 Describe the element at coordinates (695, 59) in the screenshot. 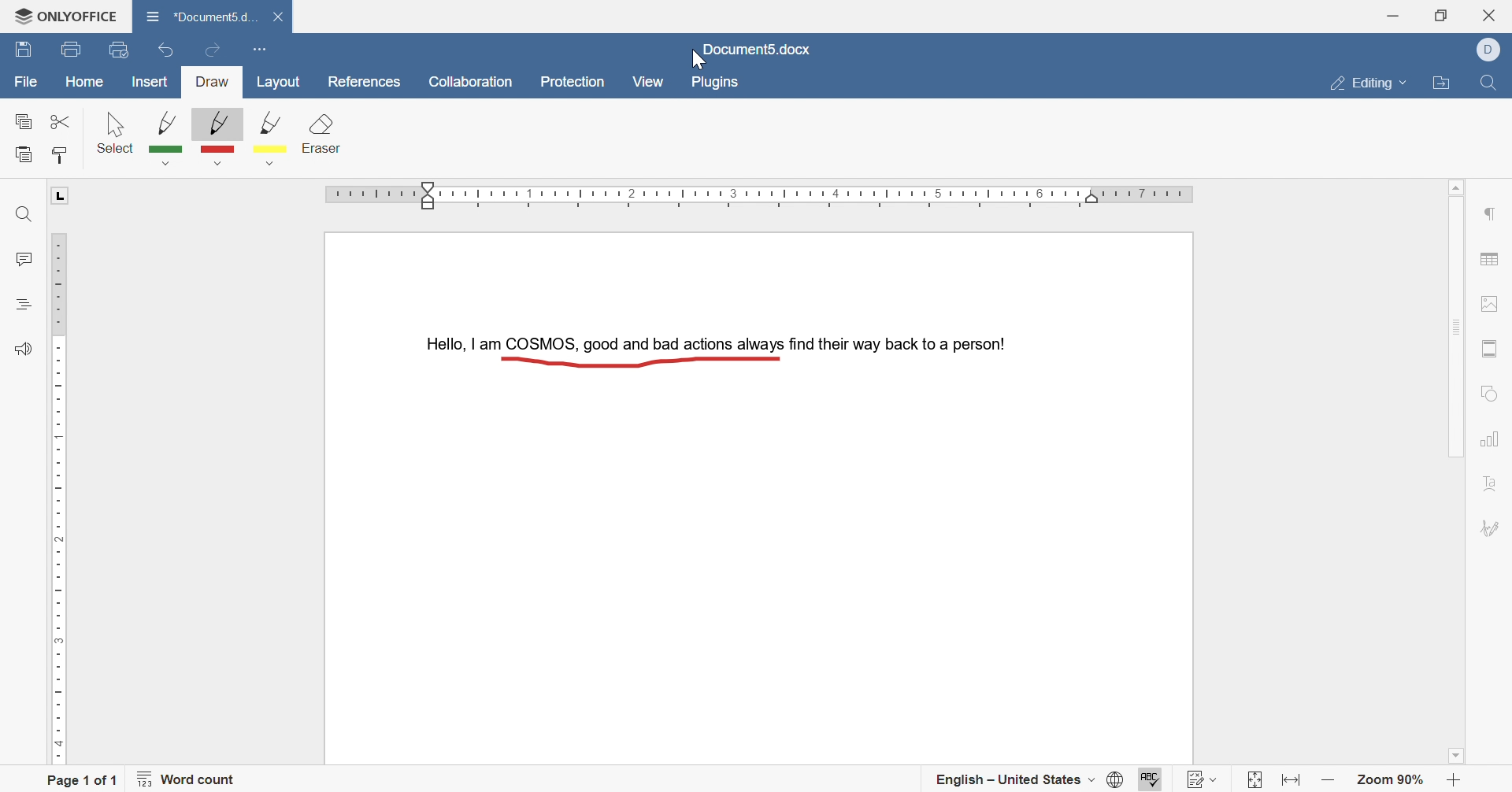

I see `cursor` at that location.